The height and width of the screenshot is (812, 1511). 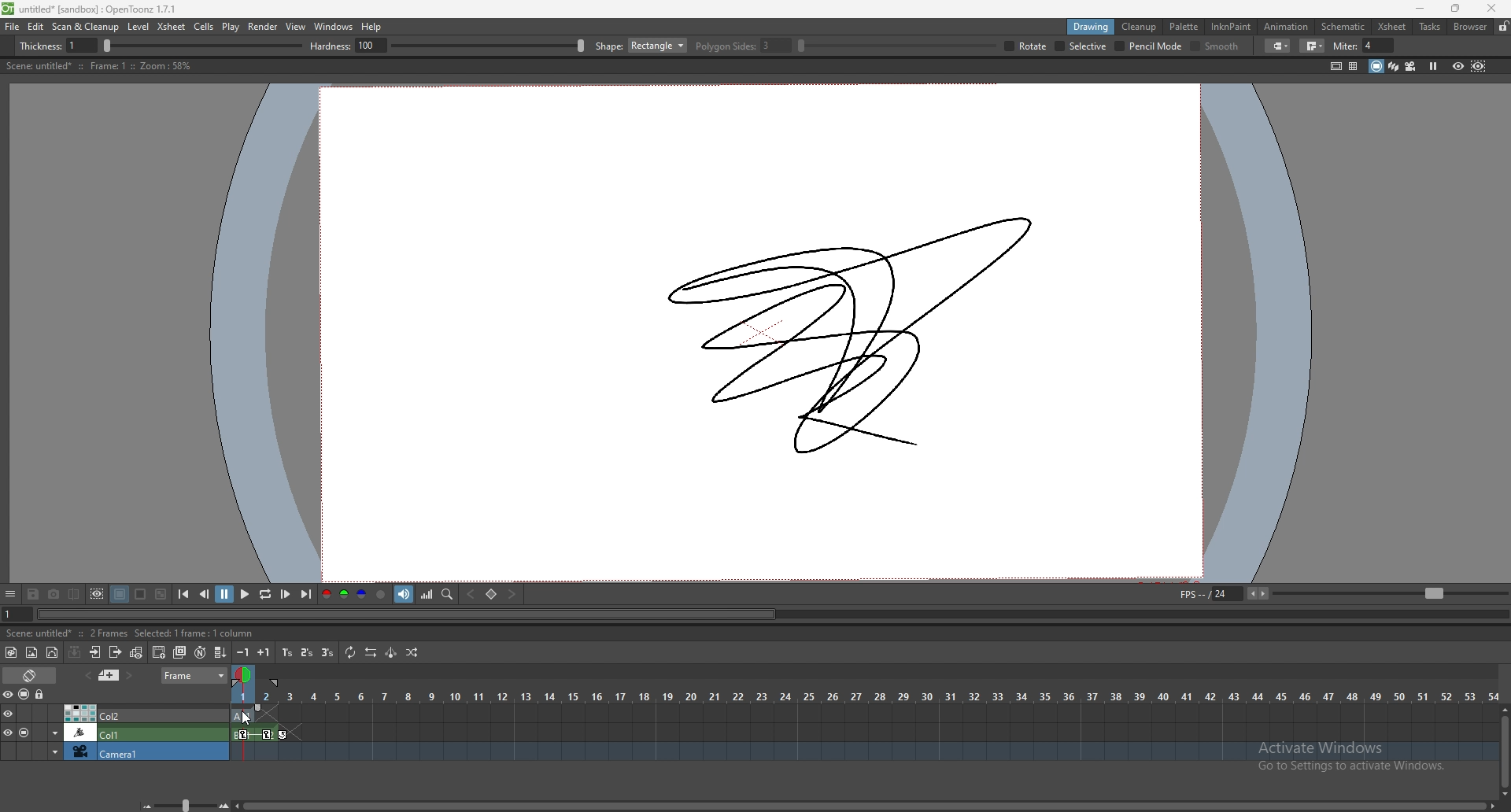 I want to click on hardness, so click(x=448, y=46).